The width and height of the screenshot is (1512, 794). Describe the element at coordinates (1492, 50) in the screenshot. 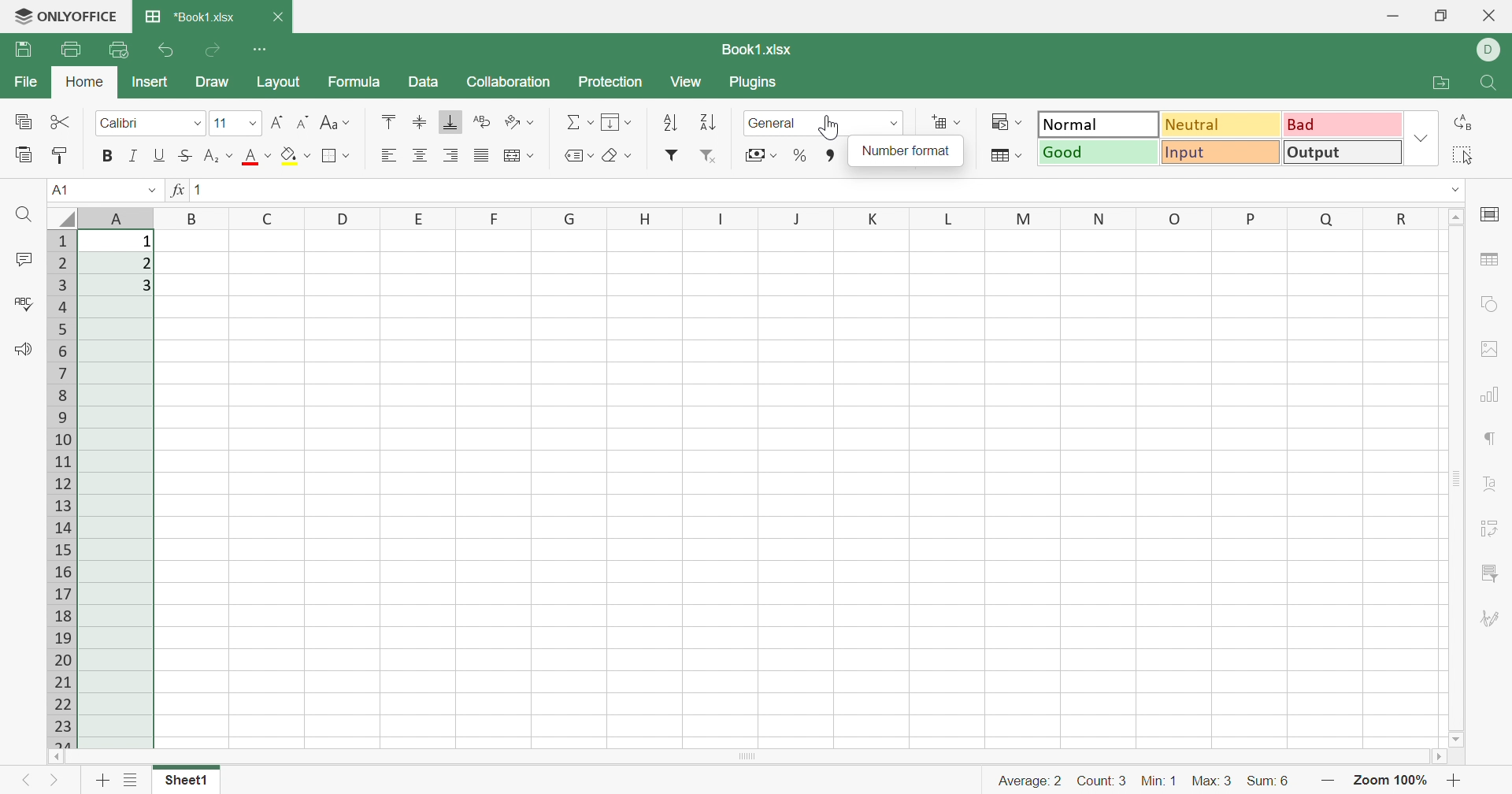

I see `DELL` at that location.